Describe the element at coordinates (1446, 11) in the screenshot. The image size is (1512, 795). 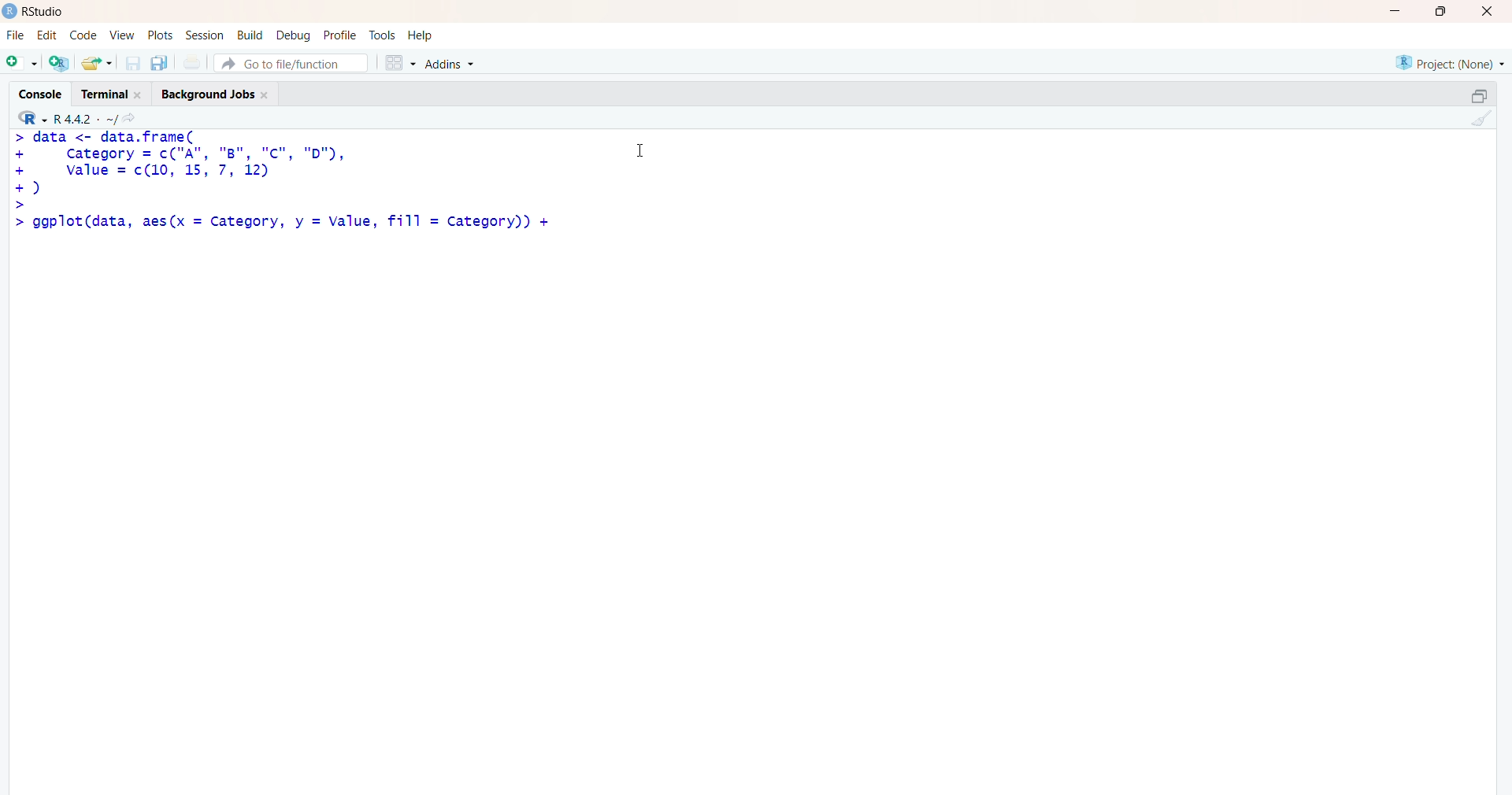
I see `maximize` at that location.